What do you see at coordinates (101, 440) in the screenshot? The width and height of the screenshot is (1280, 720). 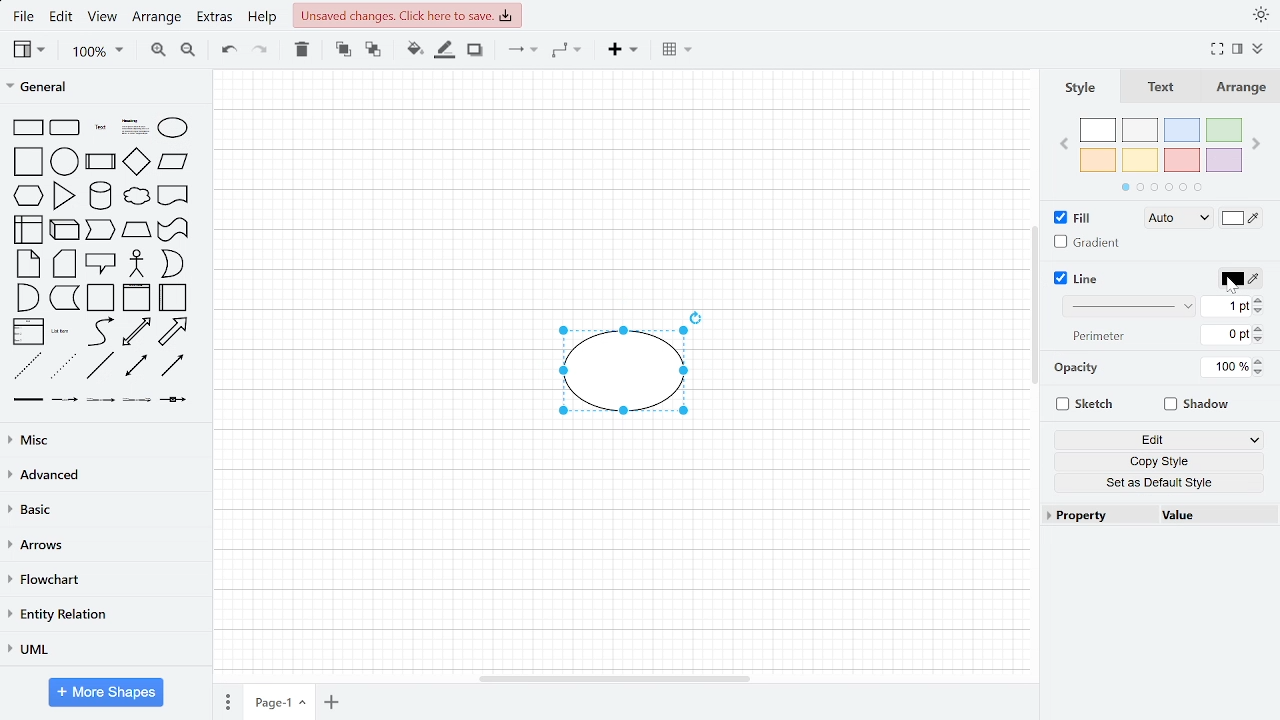 I see `Misc` at bounding box center [101, 440].